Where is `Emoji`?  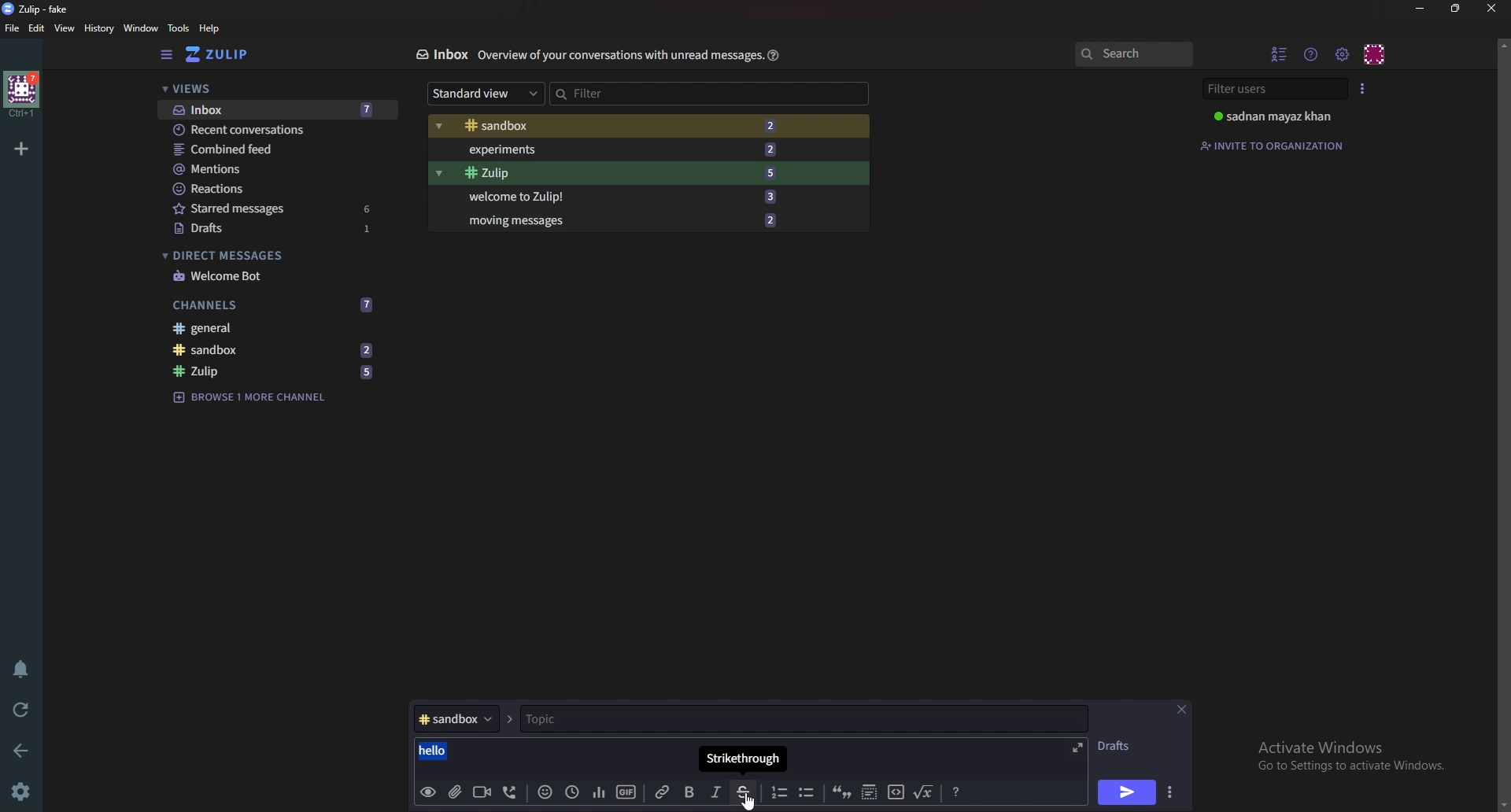
Emoji is located at coordinates (545, 792).